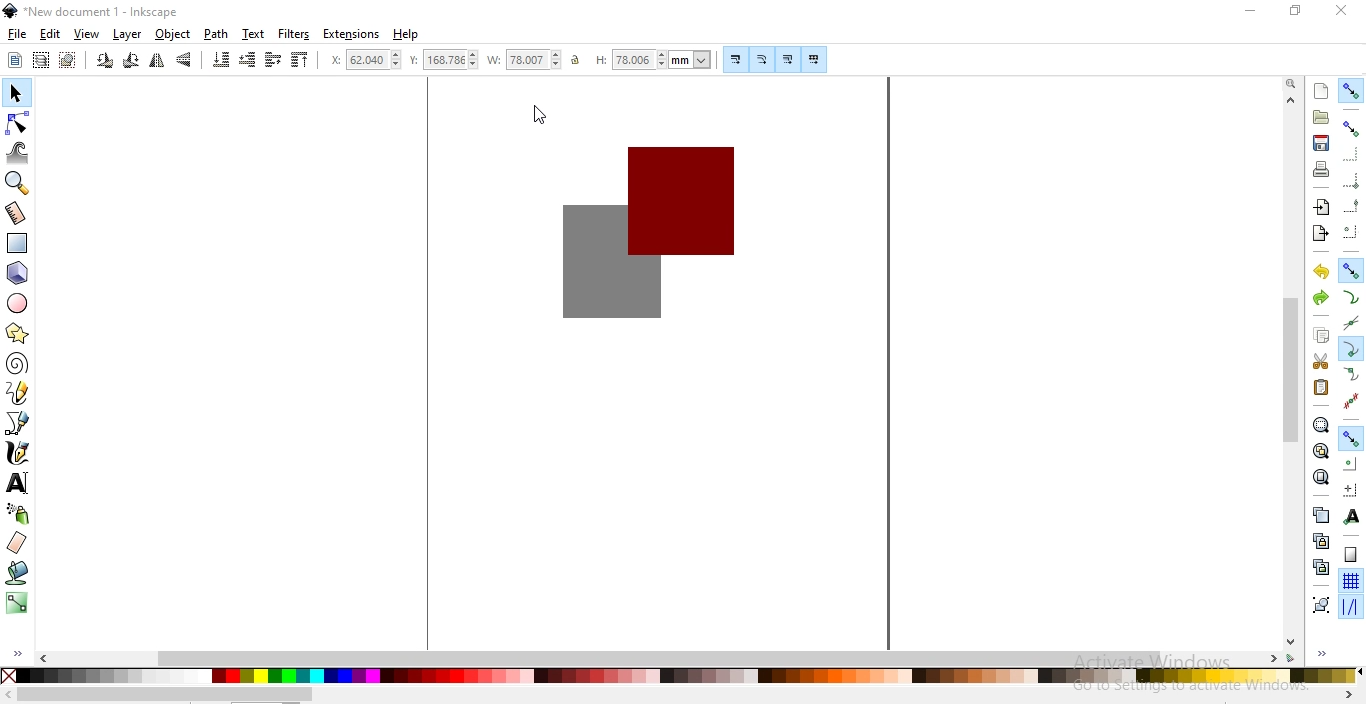 The image size is (1366, 704). What do you see at coordinates (1320, 606) in the screenshot?
I see `group objects` at bounding box center [1320, 606].